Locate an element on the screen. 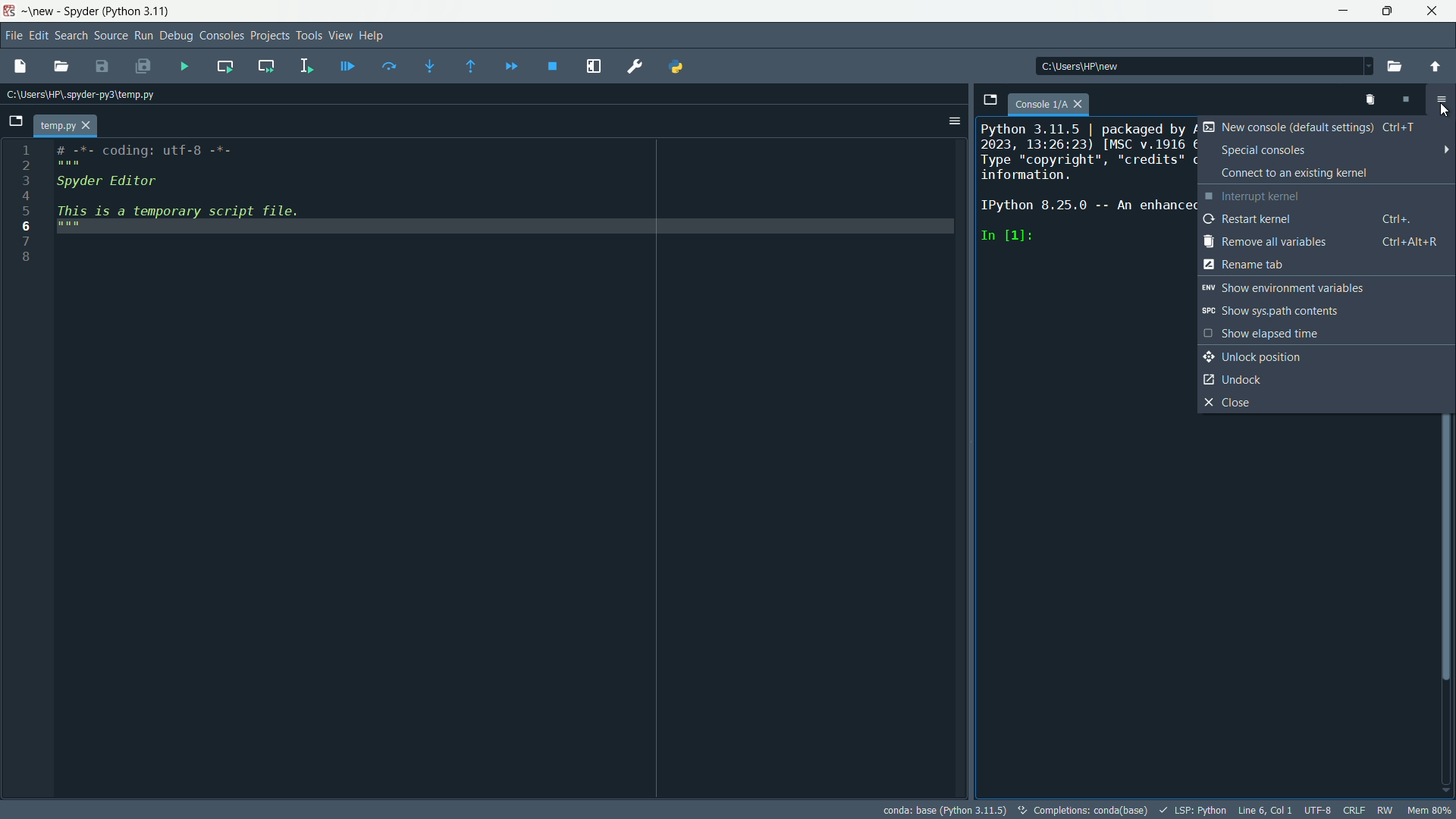  file menu is located at coordinates (14, 35).